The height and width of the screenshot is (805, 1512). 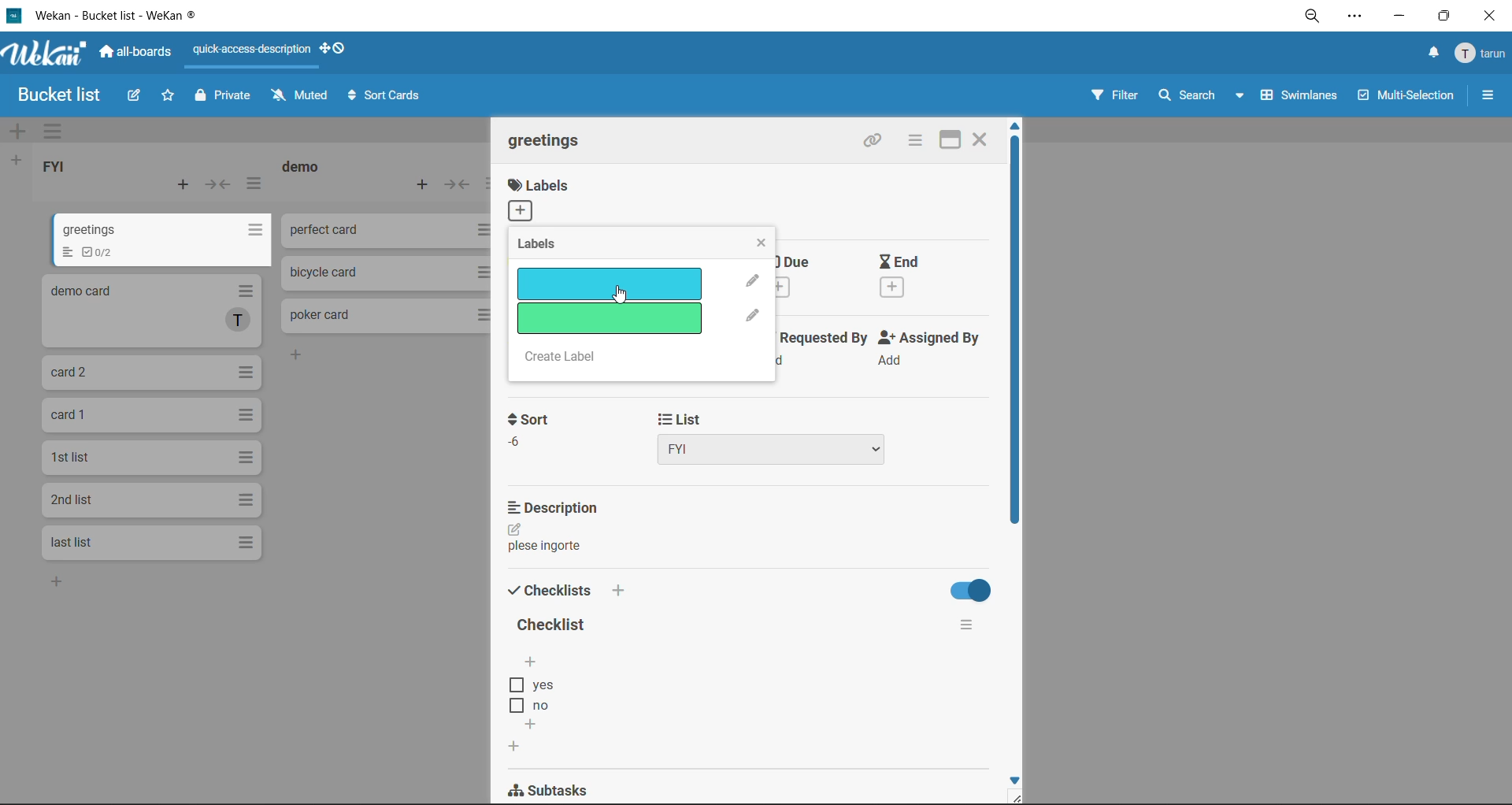 What do you see at coordinates (149, 499) in the screenshot?
I see `card 6` at bounding box center [149, 499].